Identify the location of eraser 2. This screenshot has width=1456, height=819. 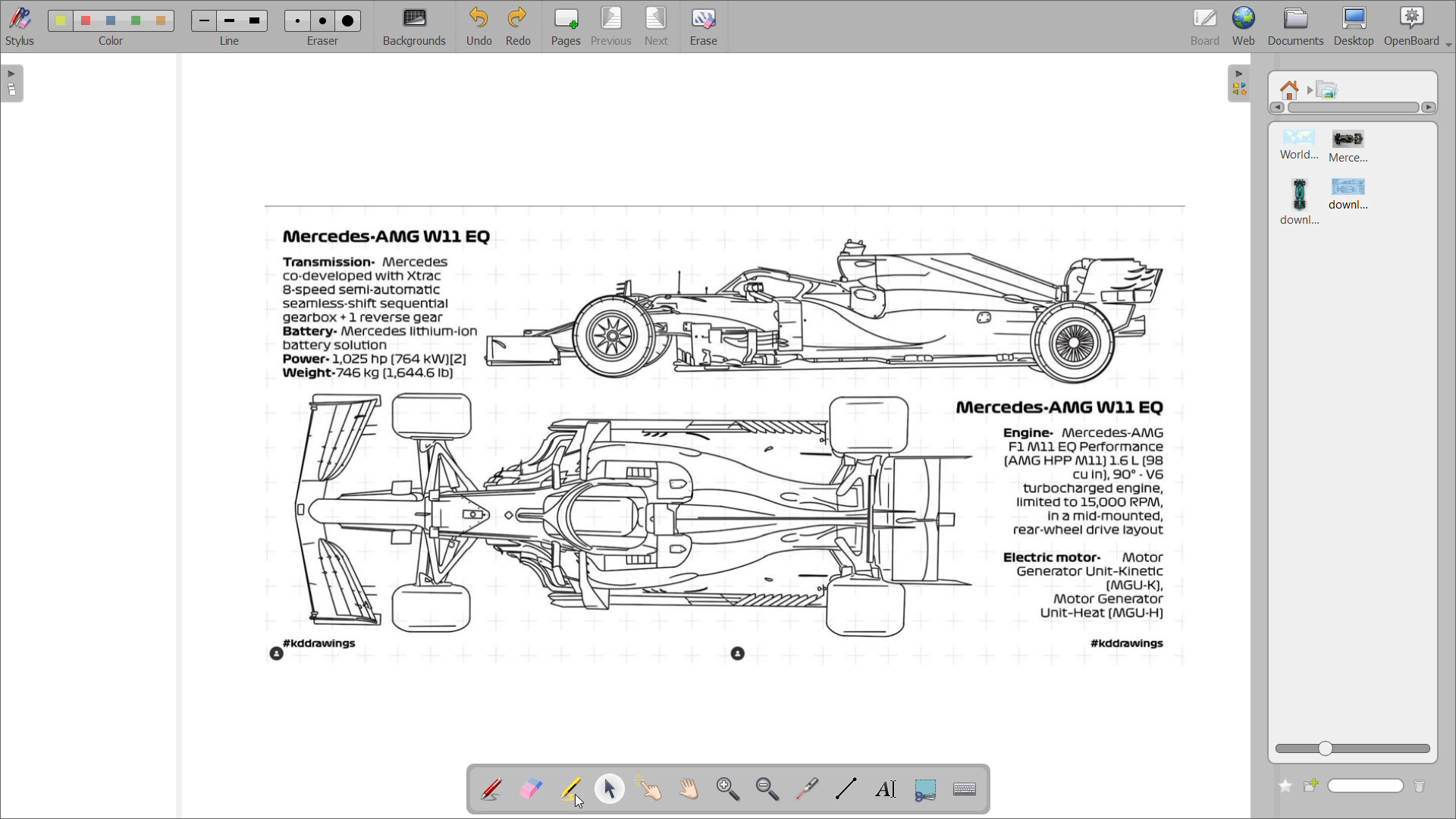
(324, 20).